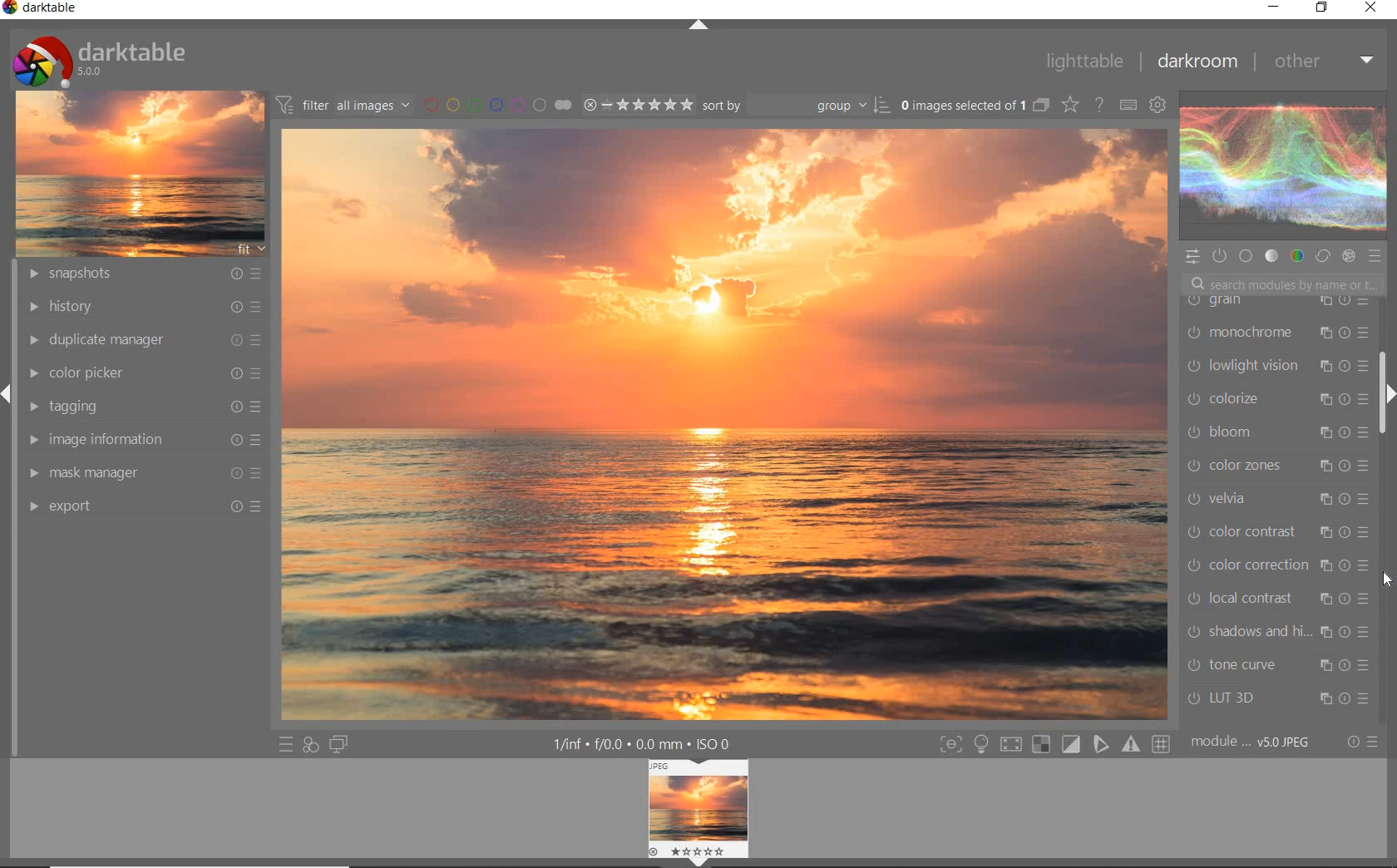 This screenshot has height=868, width=1397. I want to click on TOGGLE MODE, so click(1054, 744).